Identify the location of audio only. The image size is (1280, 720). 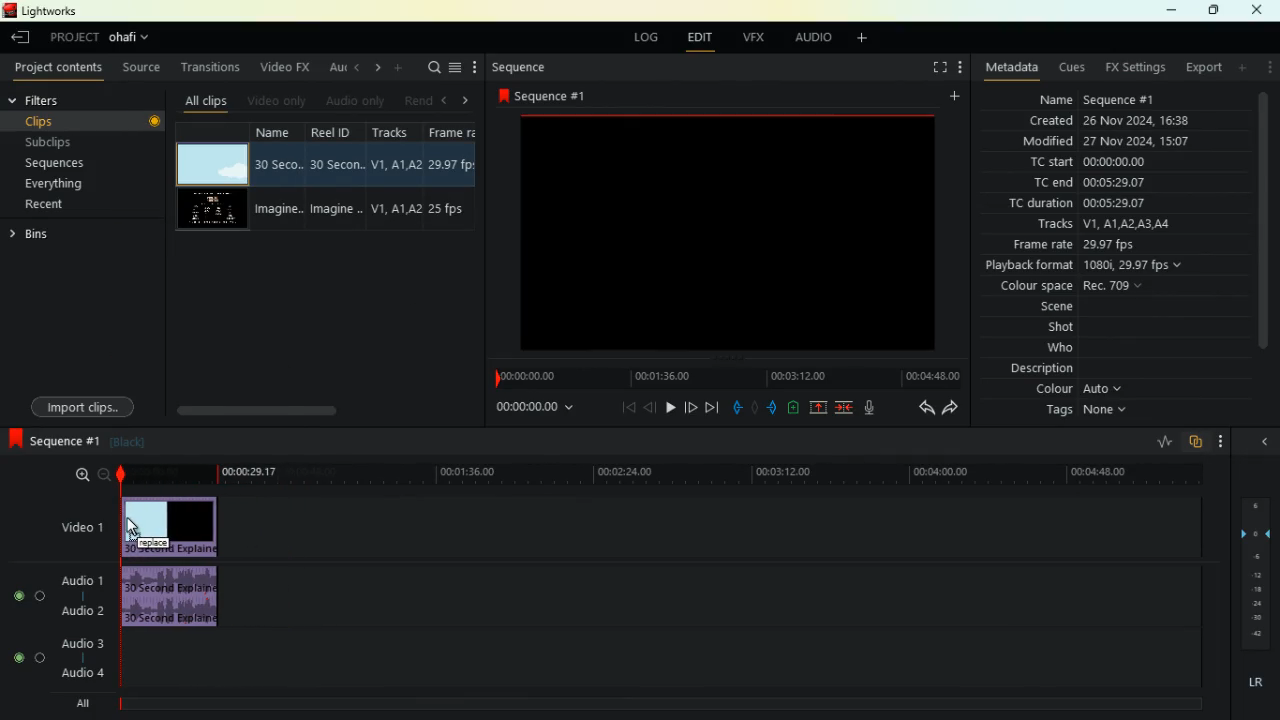
(359, 100).